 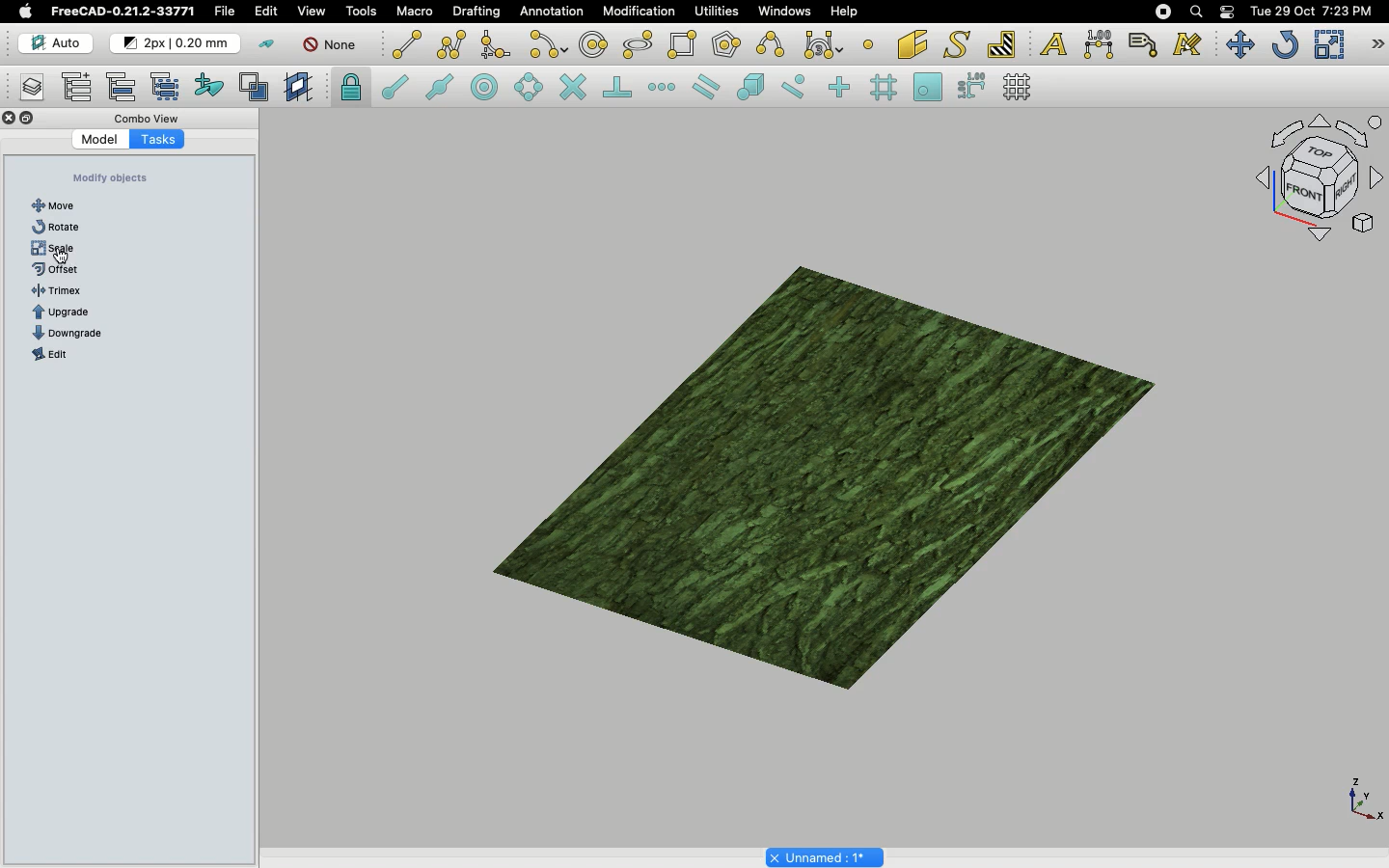 I want to click on Refresh, so click(x=1284, y=44).